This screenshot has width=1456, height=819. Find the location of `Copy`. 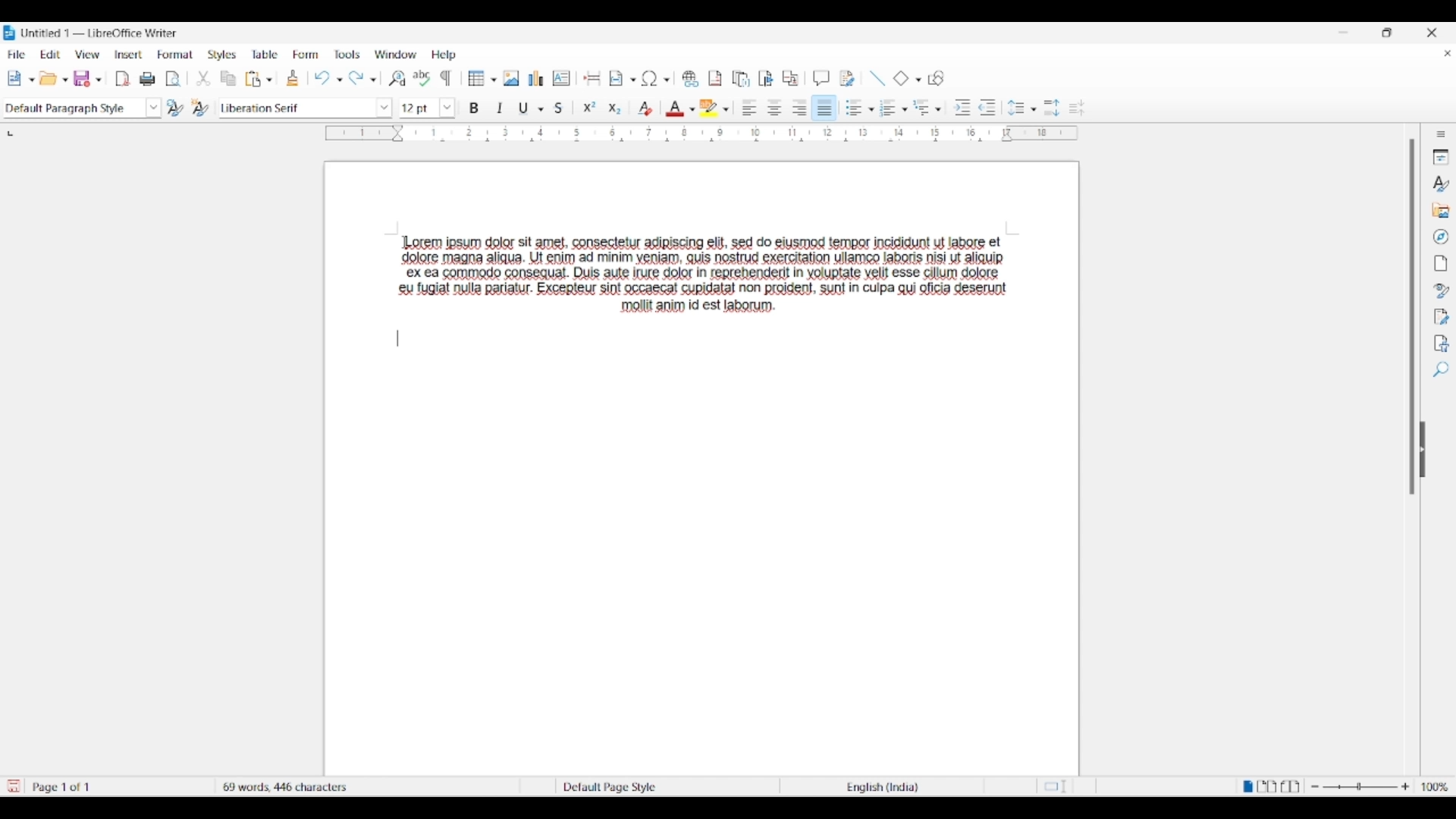

Copy is located at coordinates (228, 78).